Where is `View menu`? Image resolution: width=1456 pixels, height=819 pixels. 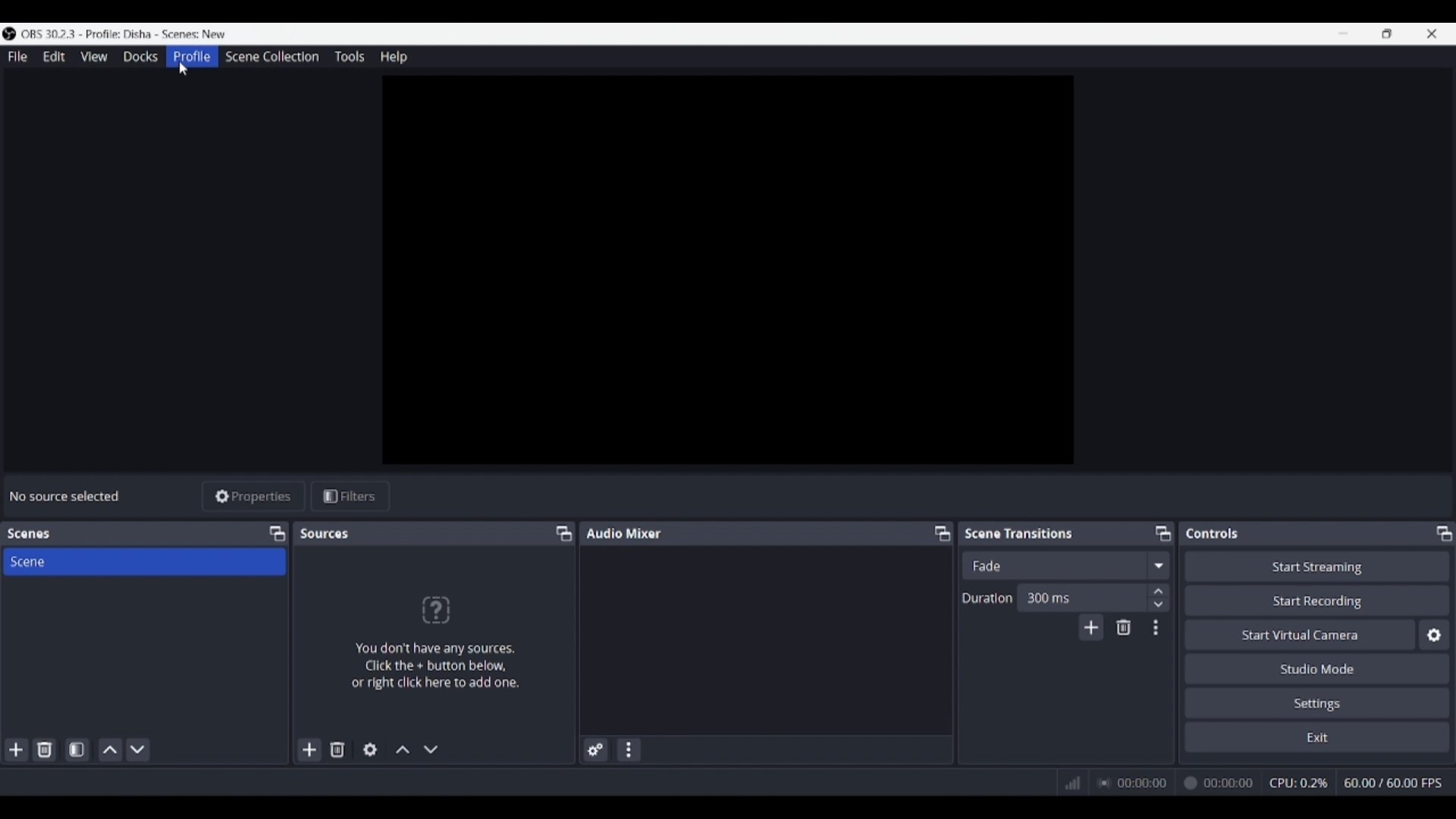 View menu is located at coordinates (94, 56).